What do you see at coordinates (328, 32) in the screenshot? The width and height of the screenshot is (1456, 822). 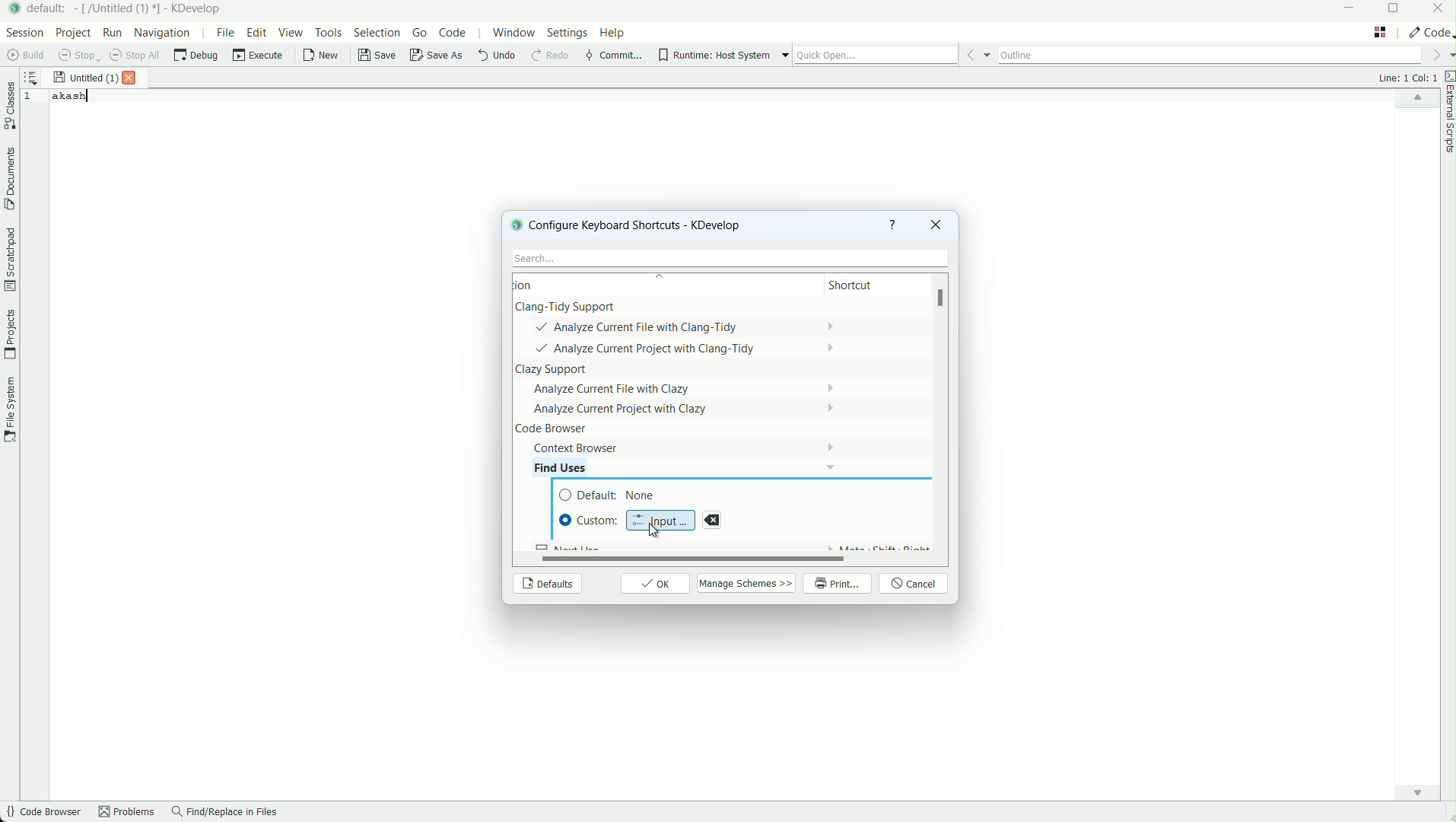 I see `tools menu` at bounding box center [328, 32].